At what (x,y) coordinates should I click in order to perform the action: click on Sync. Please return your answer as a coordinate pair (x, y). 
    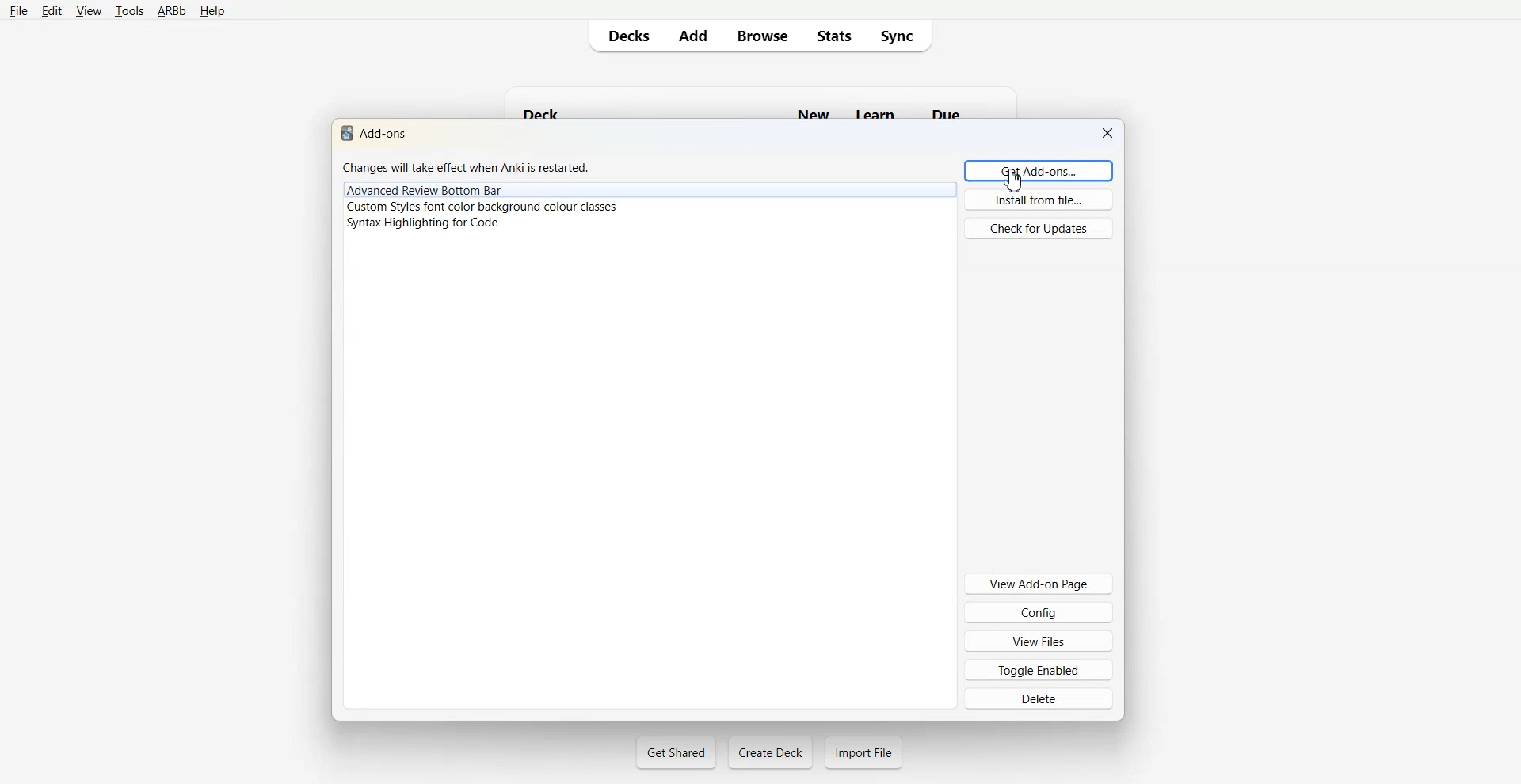
    Looking at the image, I should click on (904, 36).